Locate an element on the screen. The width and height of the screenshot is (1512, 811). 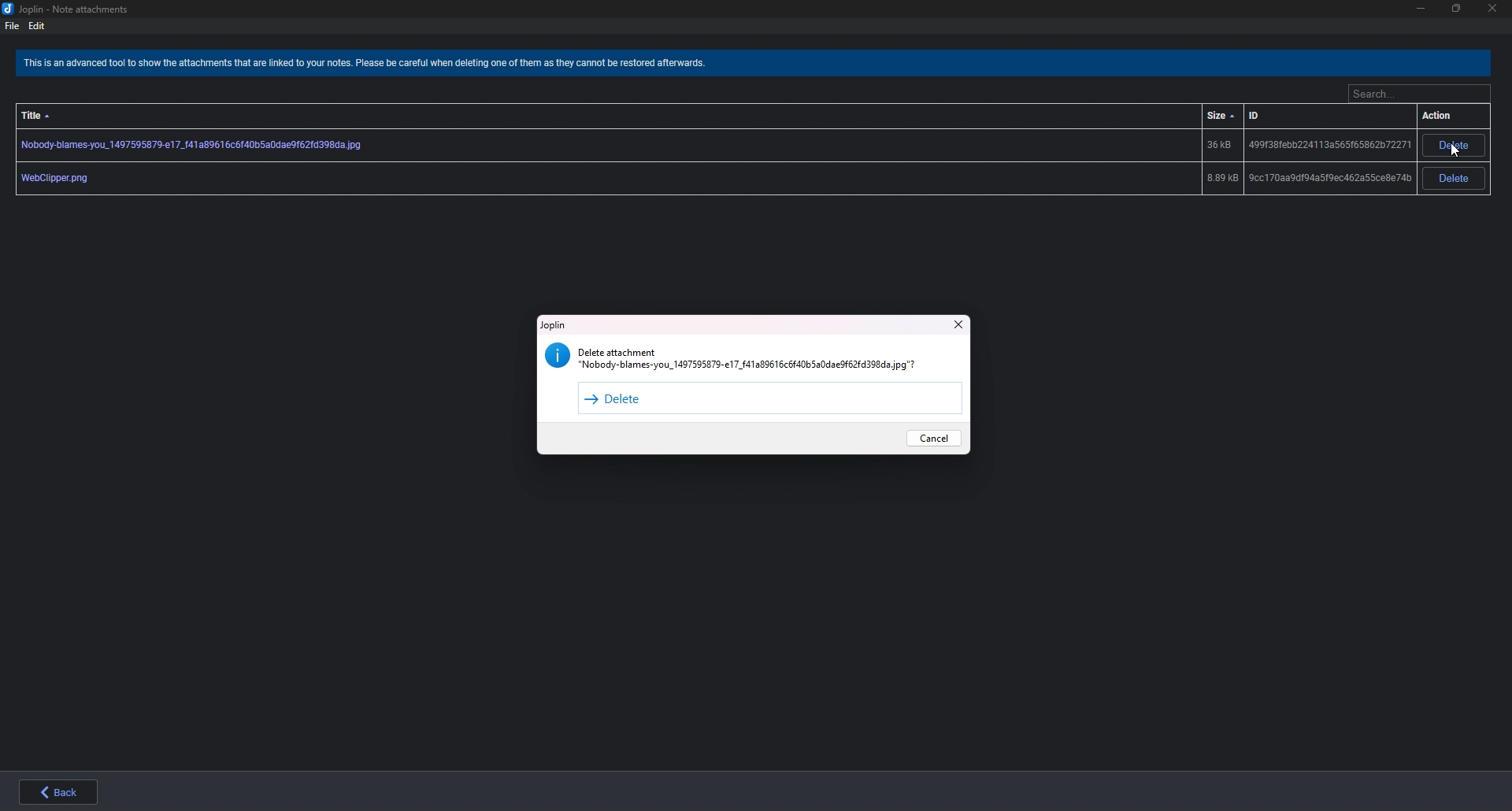
file is located at coordinates (13, 25).